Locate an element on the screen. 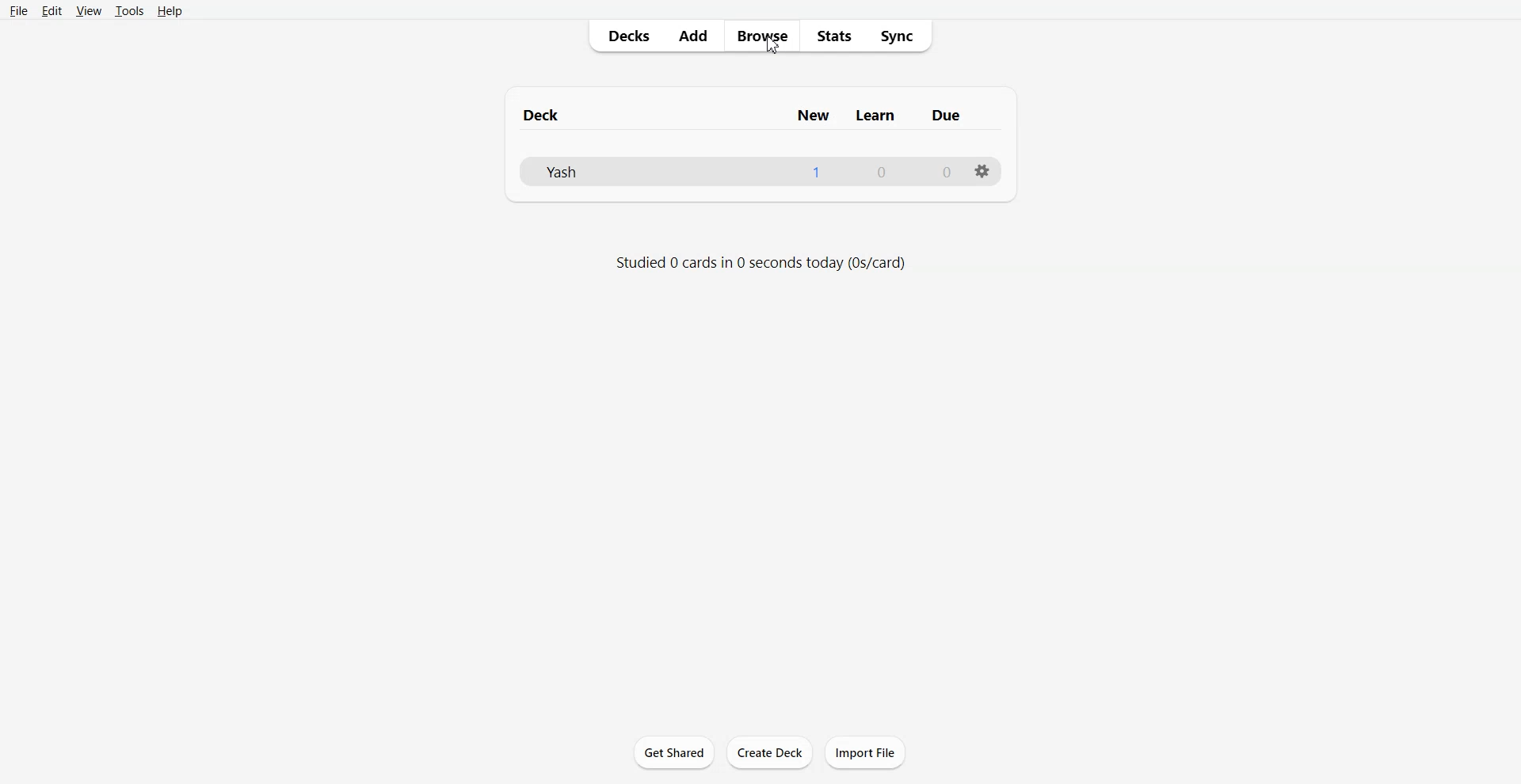  Studied 0 cards in 0 seconds today (0s/card) is located at coordinates (758, 263).